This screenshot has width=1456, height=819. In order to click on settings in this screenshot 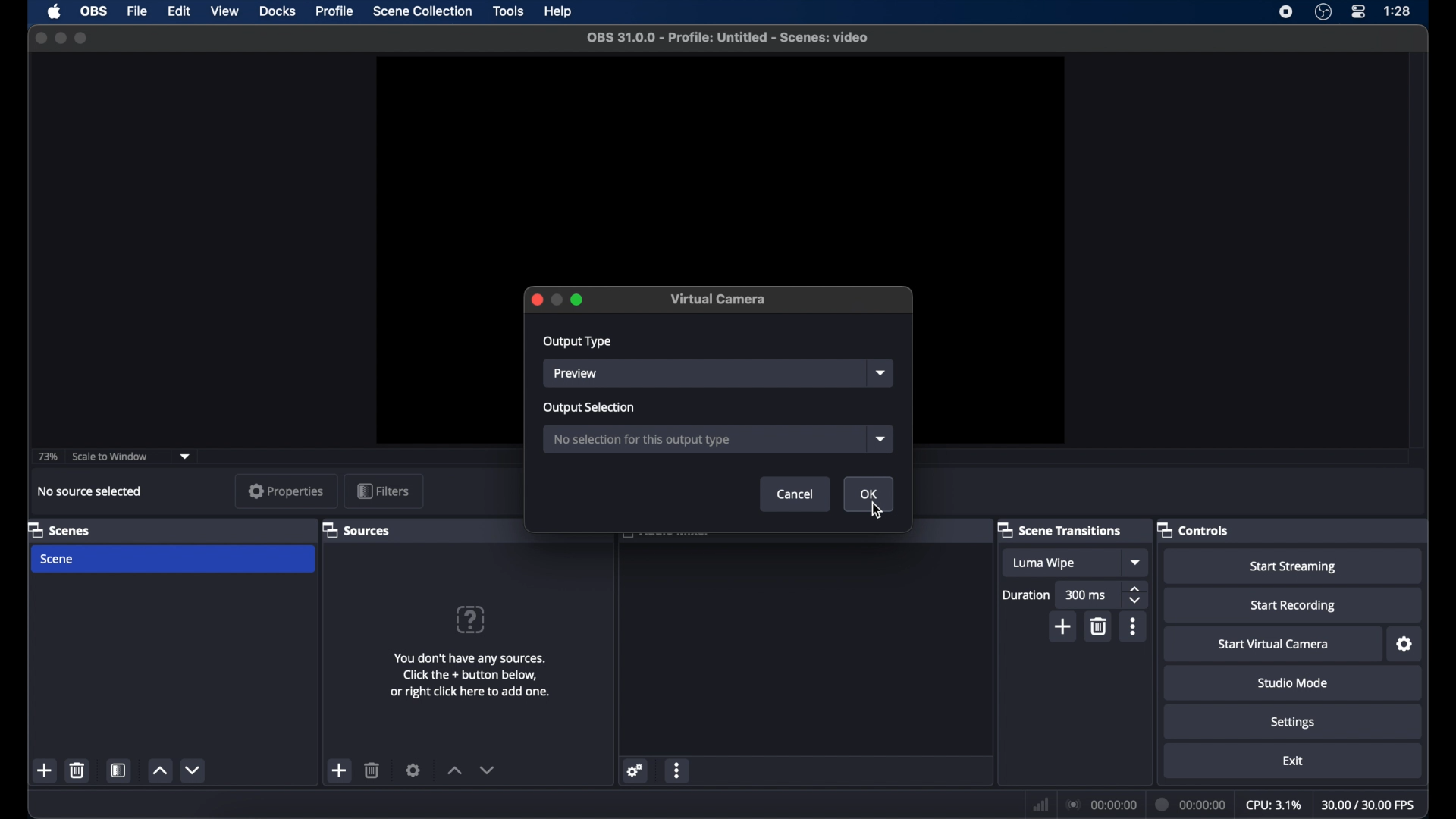, I will do `click(633, 771)`.